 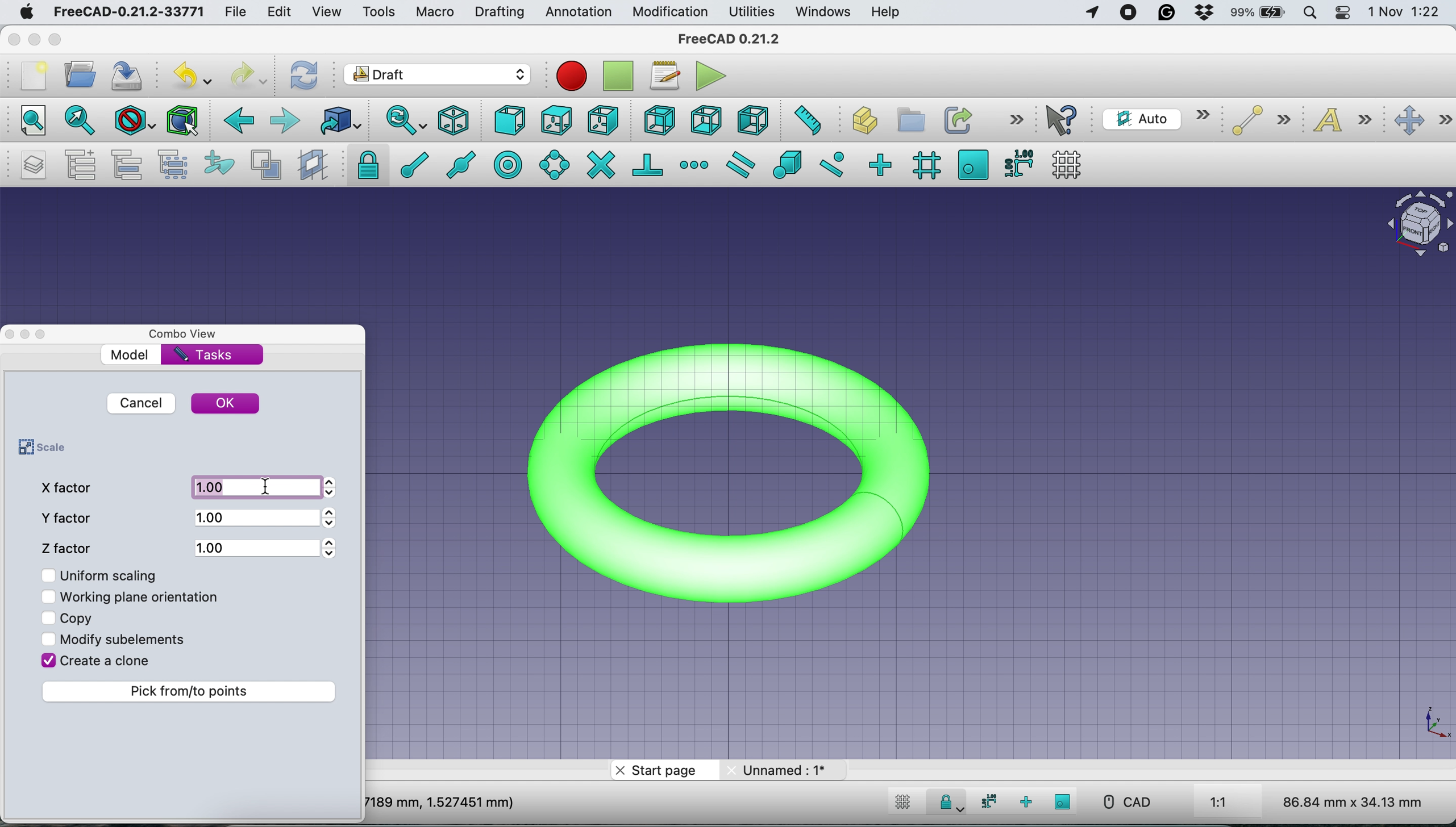 What do you see at coordinates (1165, 12) in the screenshot?
I see `grammarly` at bounding box center [1165, 12].